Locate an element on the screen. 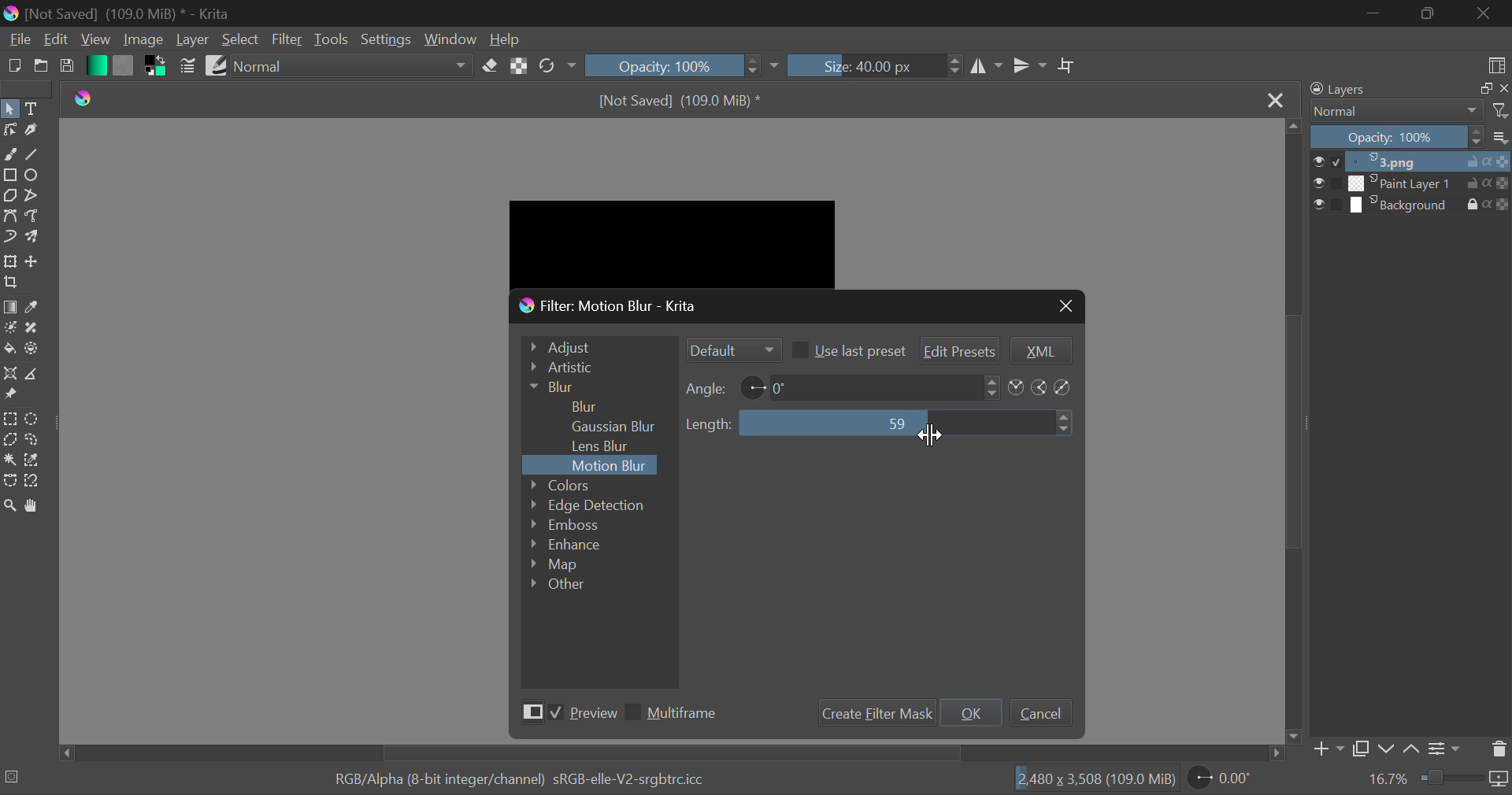 The height and width of the screenshot is (795, 1512). Colorize Mask Tool is located at coordinates (9, 327).